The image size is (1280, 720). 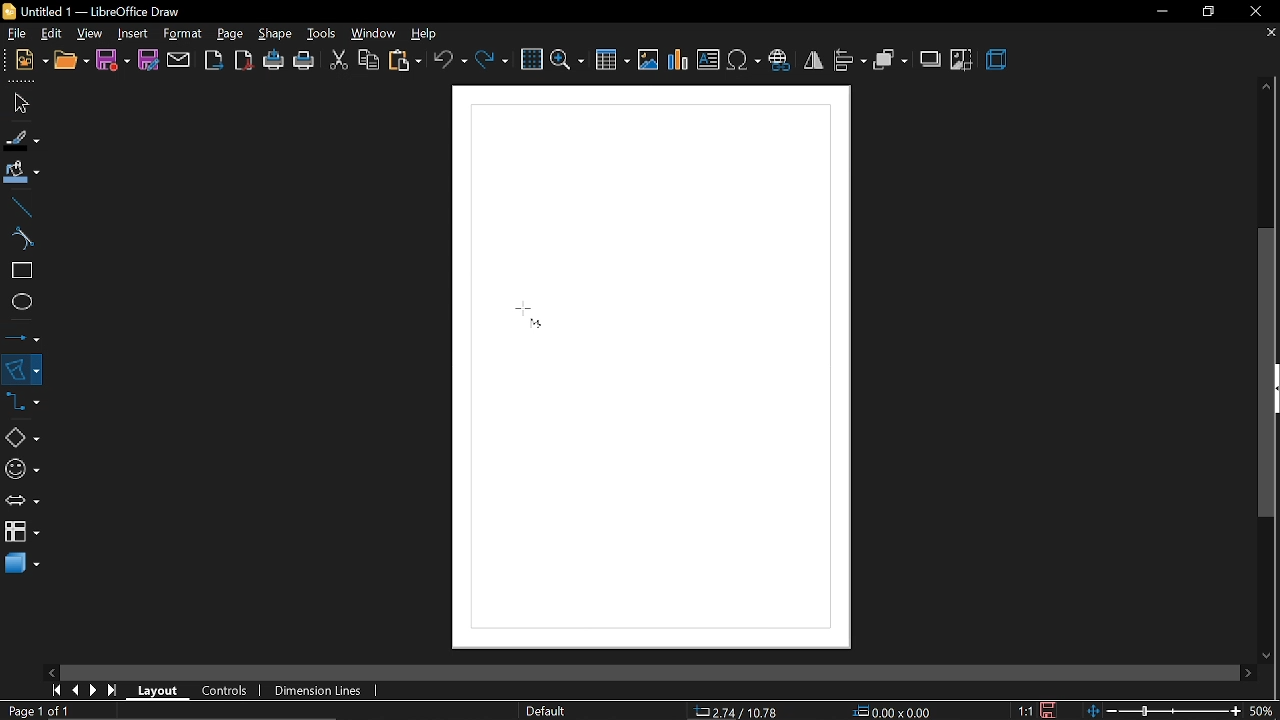 I want to click on Untitled 1- Libreoffice Draw, so click(x=106, y=11).